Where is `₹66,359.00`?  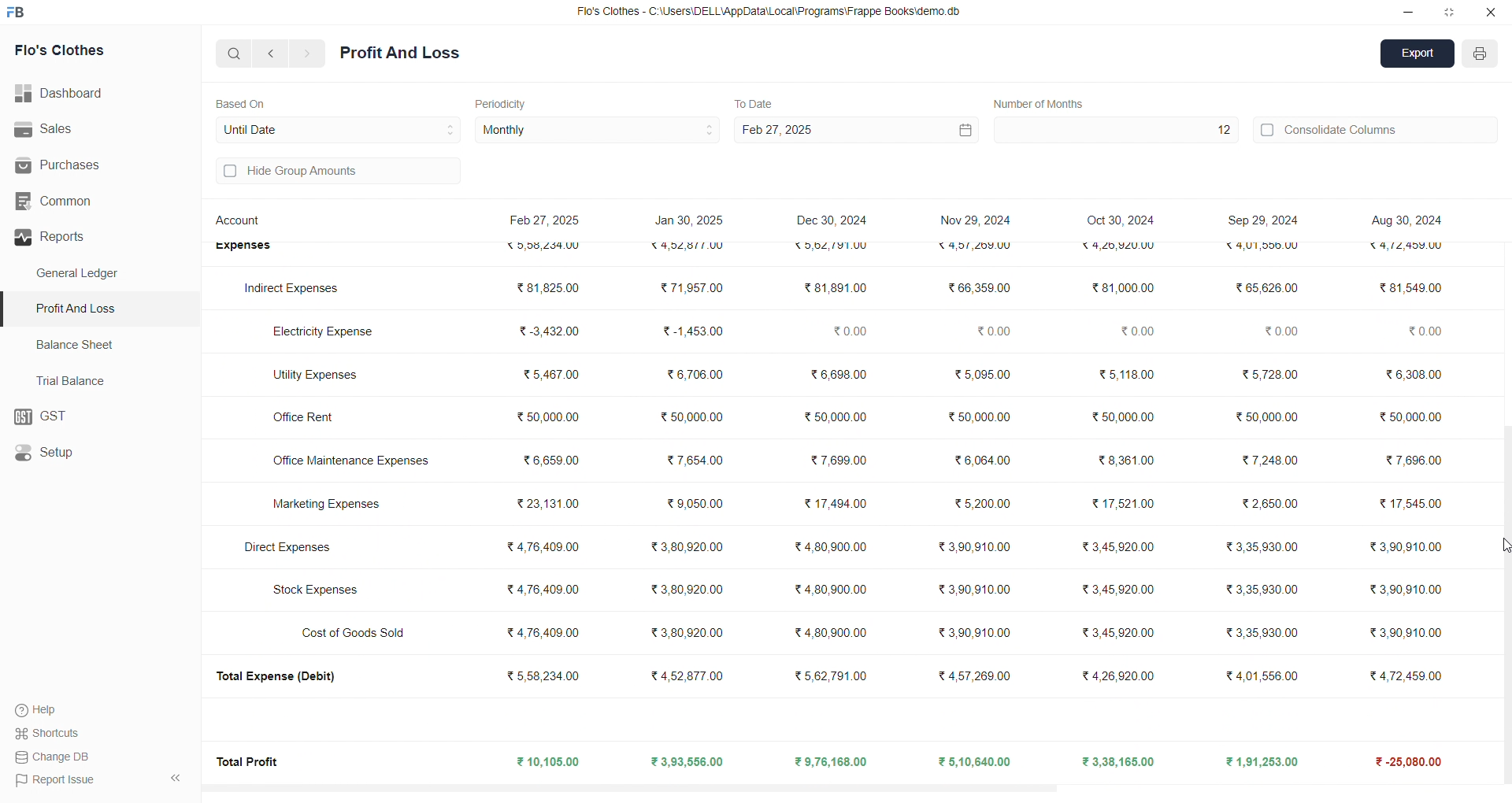
₹66,359.00 is located at coordinates (978, 287).